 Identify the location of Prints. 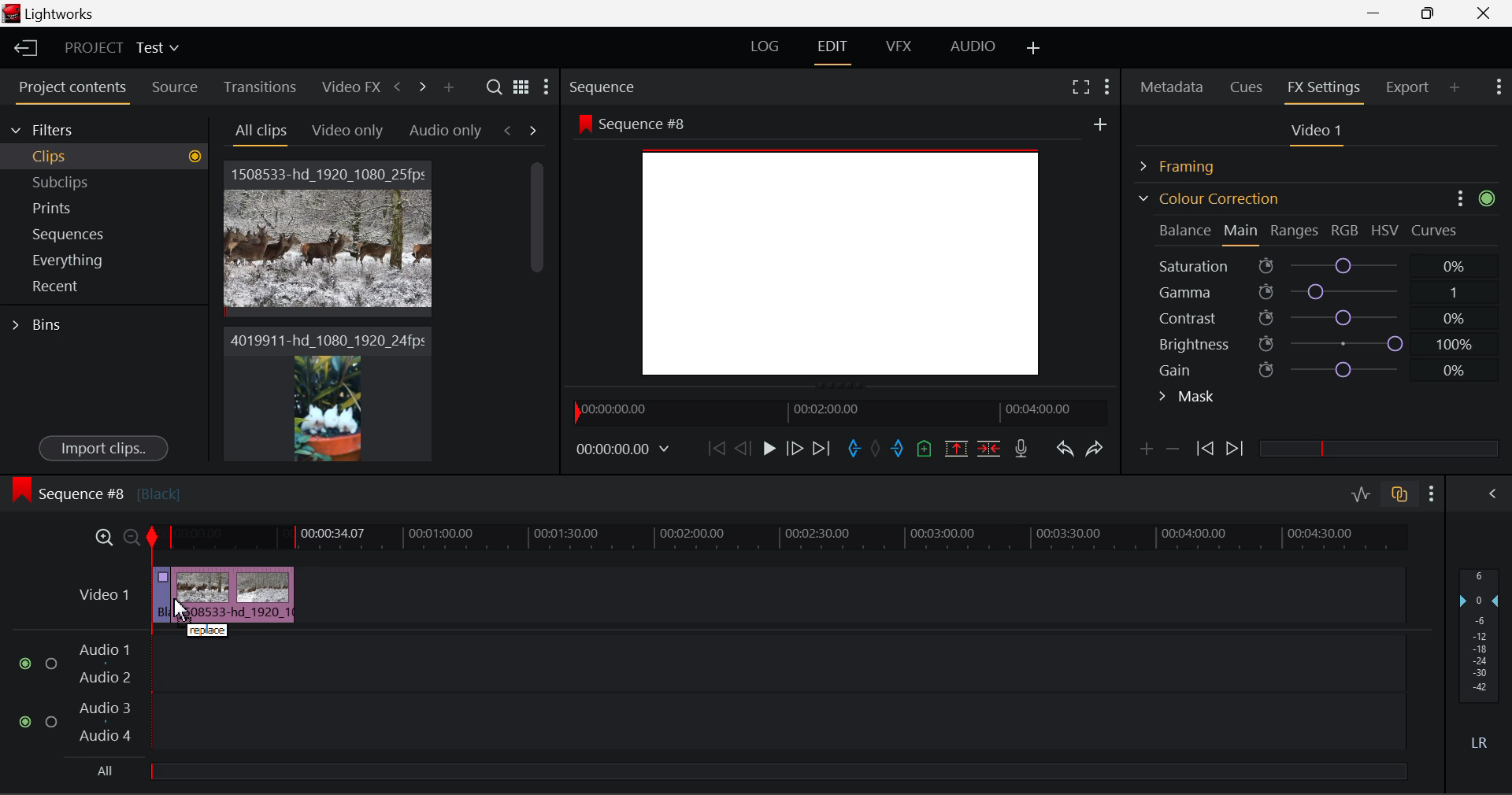
(74, 205).